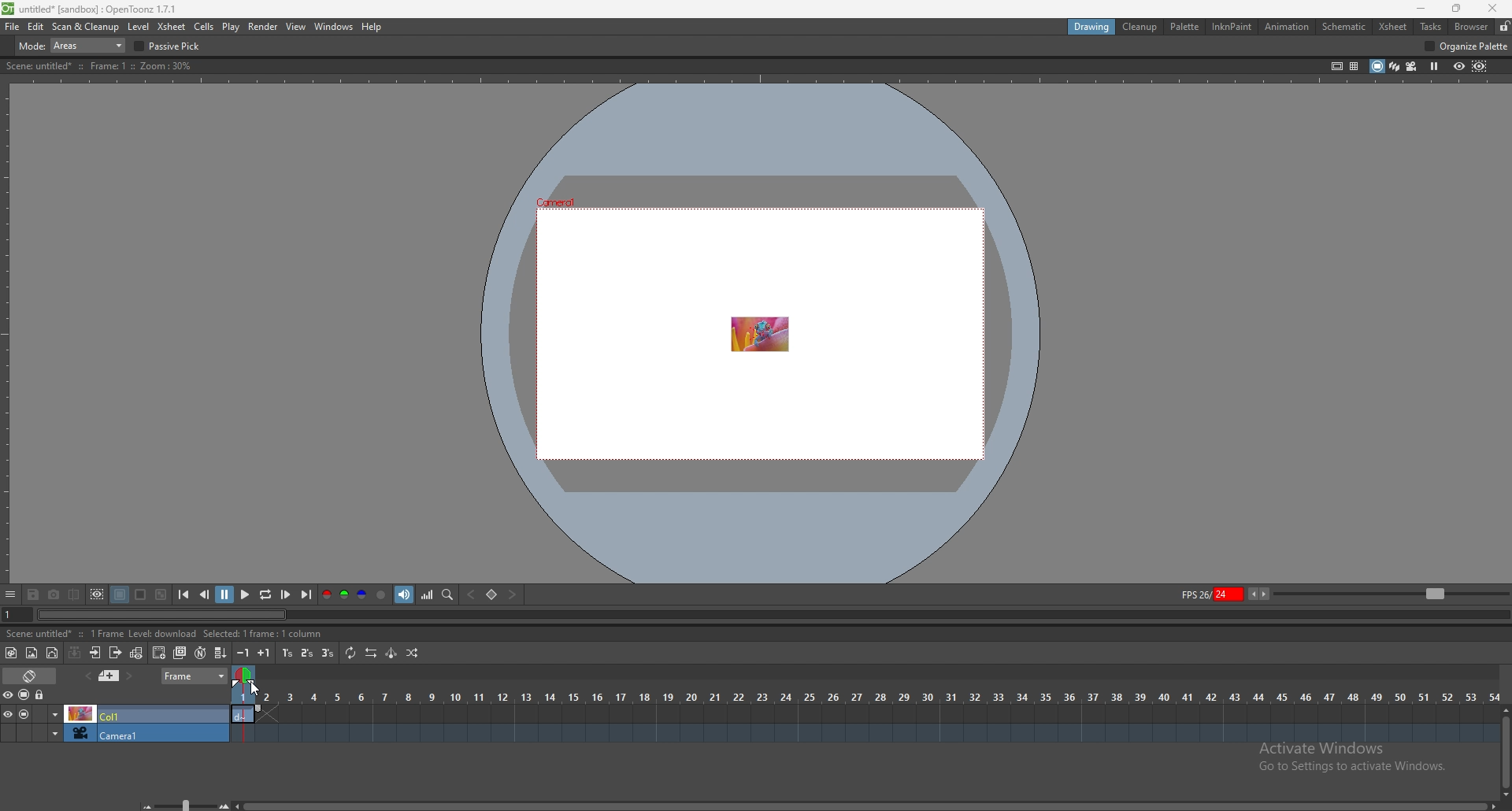 The image size is (1512, 811). I want to click on resize, so click(1456, 9).